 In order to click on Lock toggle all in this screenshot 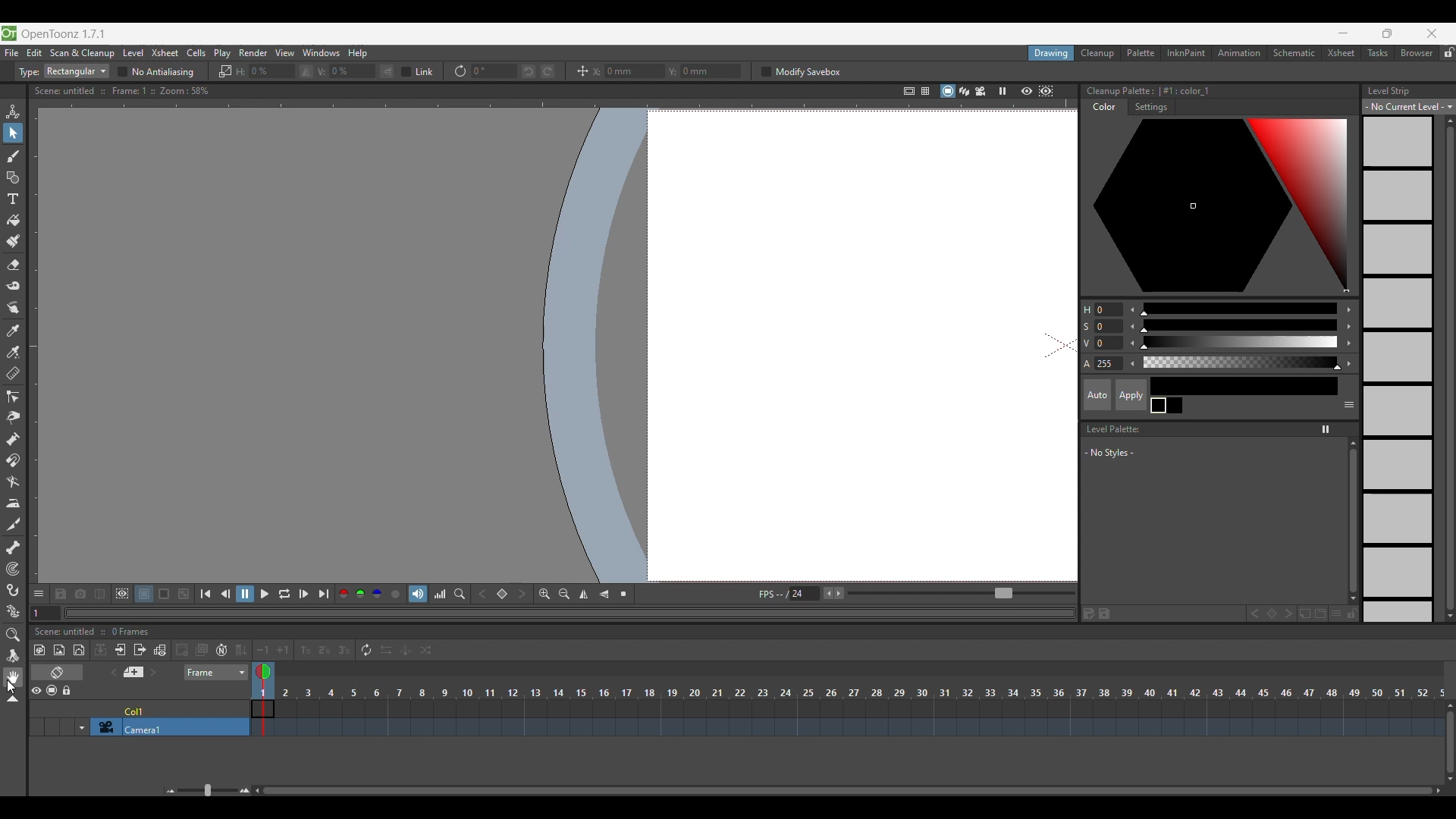, I will do `click(77, 690)`.